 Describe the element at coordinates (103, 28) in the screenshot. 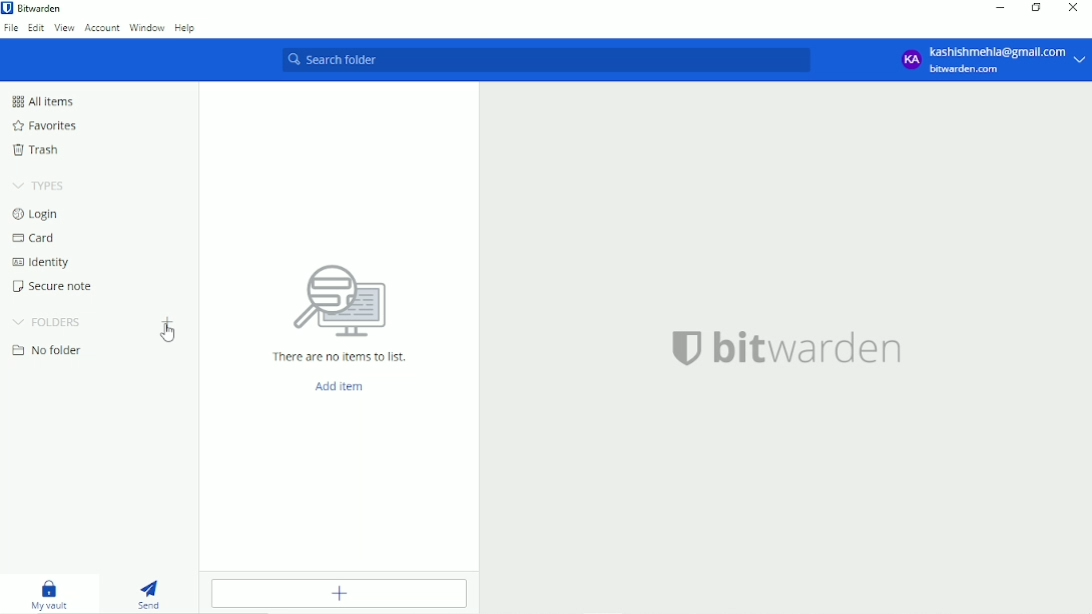

I see `Account` at that location.